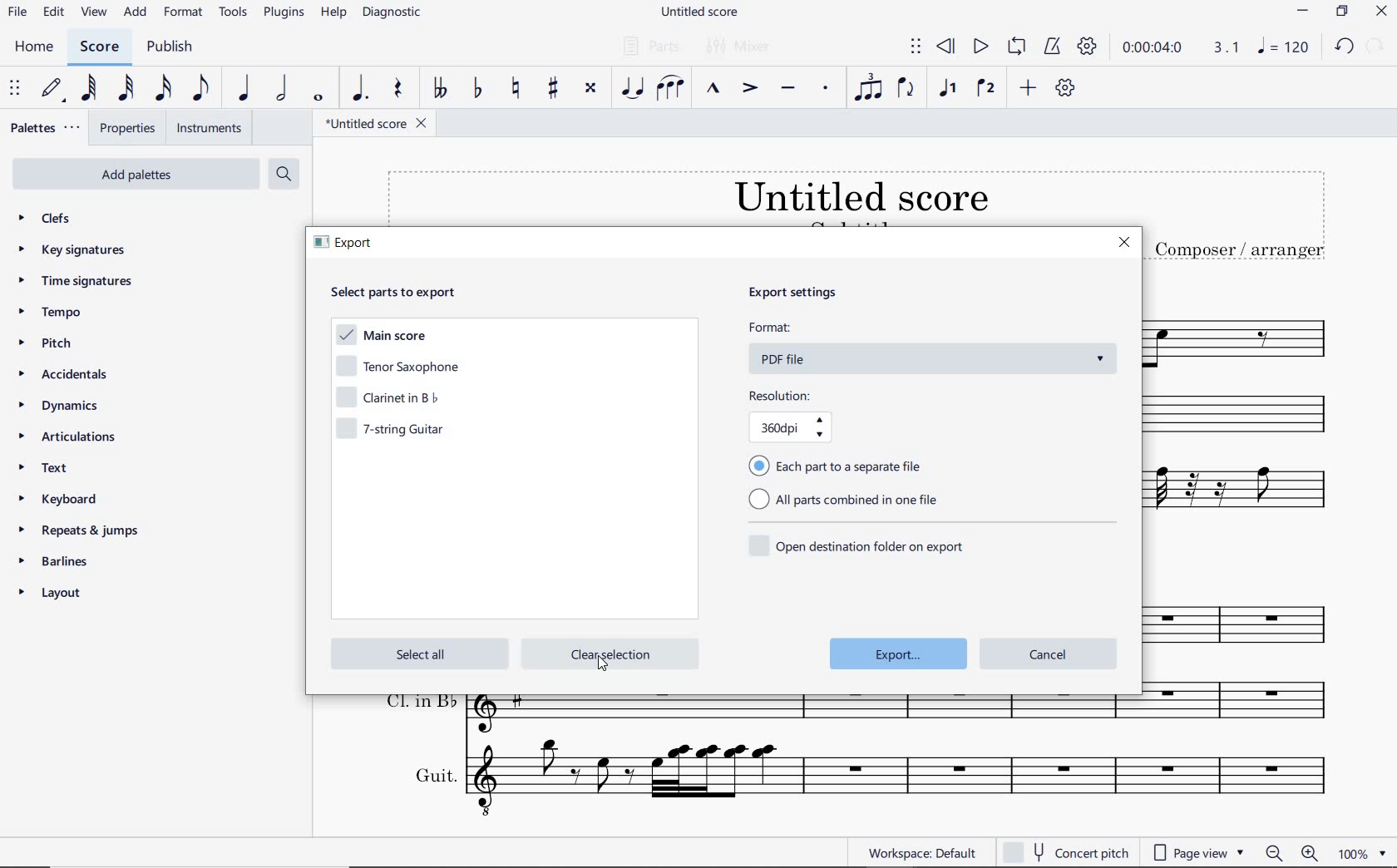 This screenshot has width=1397, height=868. What do you see at coordinates (397, 368) in the screenshot?
I see `tenor saxophone` at bounding box center [397, 368].